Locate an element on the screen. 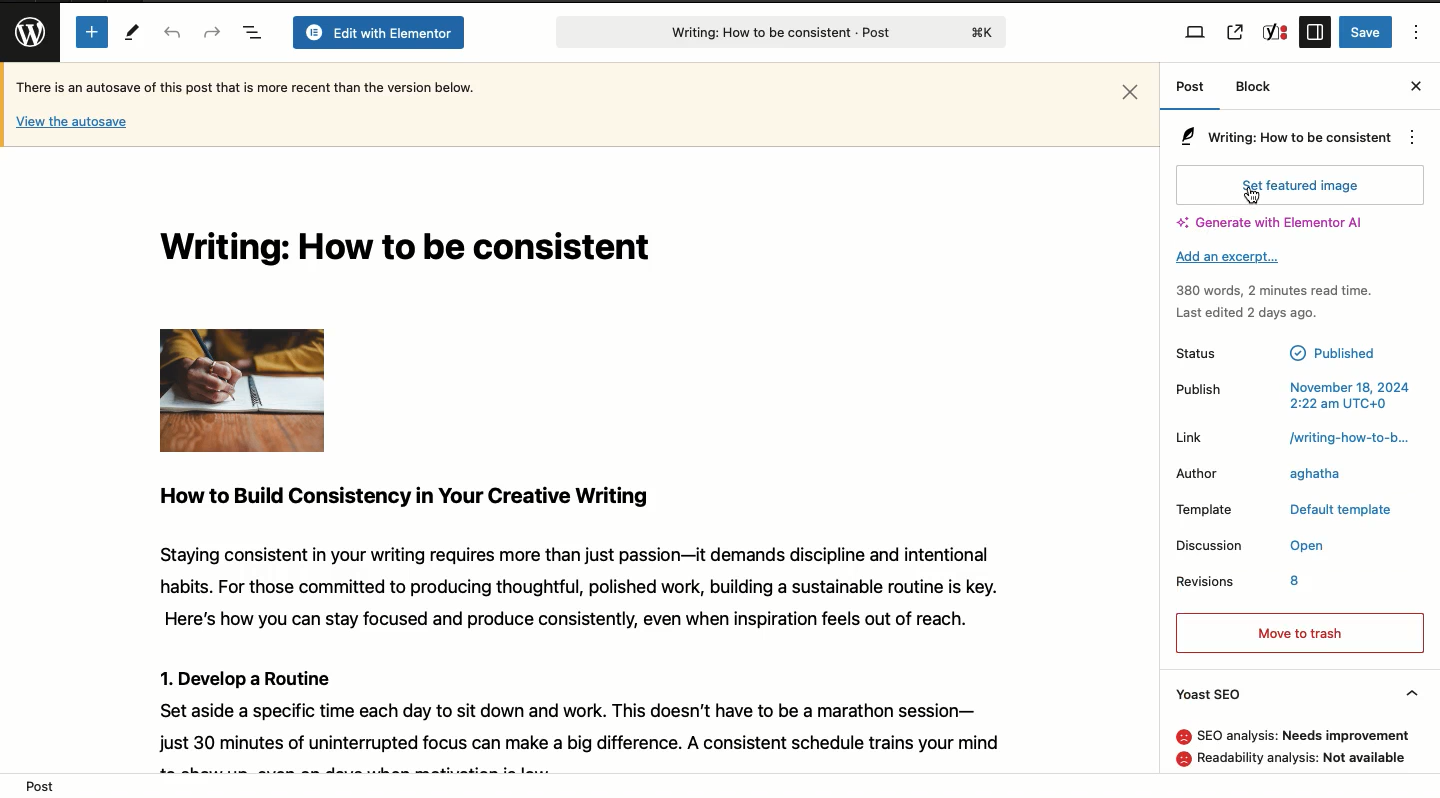  /writing-how-to-b... is located at coordinates (1346, 439).